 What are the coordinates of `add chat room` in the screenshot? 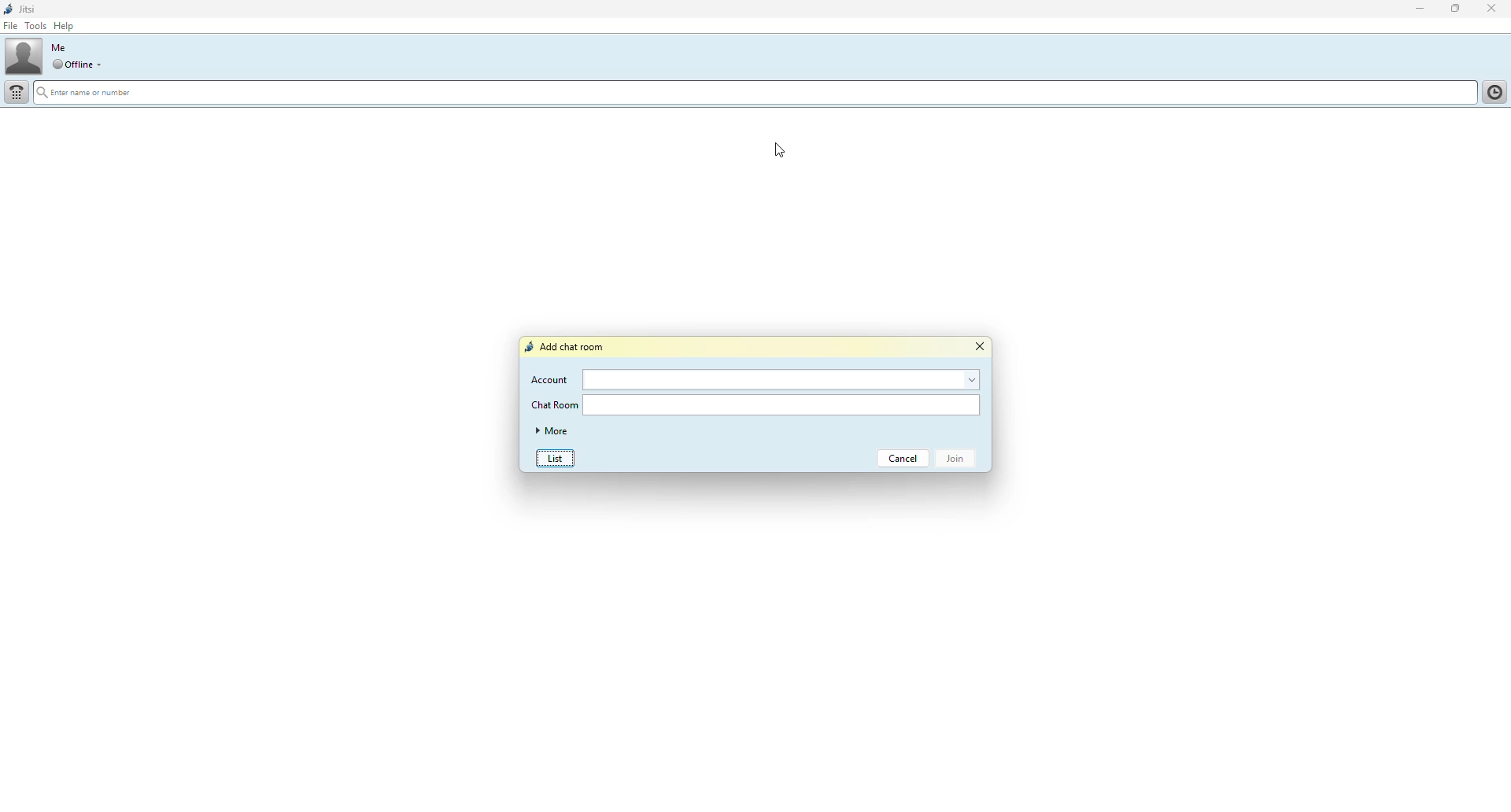 It's located at (567, 345).